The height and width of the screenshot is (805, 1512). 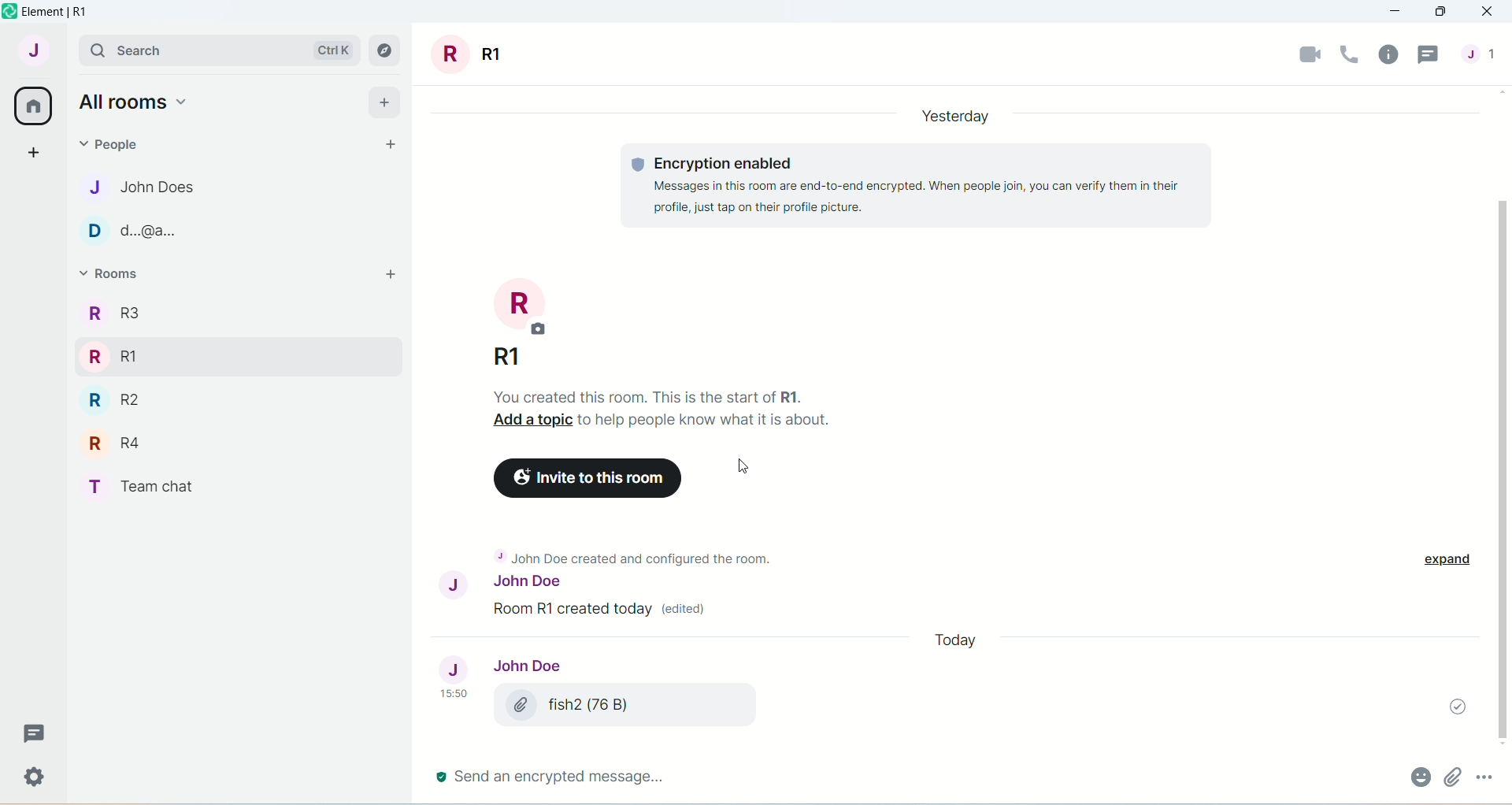 I want to click on all rooms, so click(x=138, y=102).